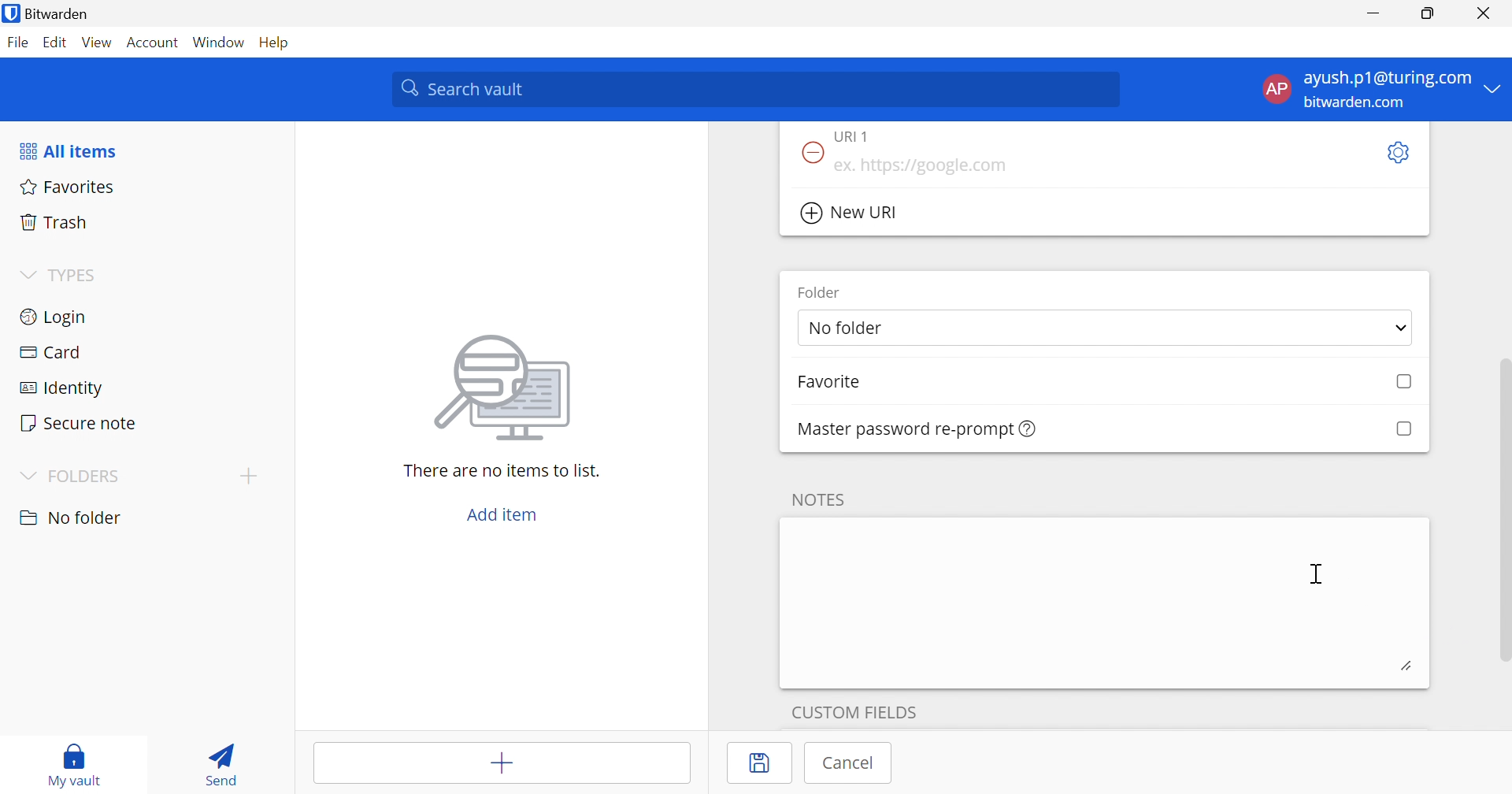 The width and height of the screenshot is (1512, 794). What do you see at coordinates (220, 43) in the screenshot?
I see `Window` at bounding box center [220, 43].